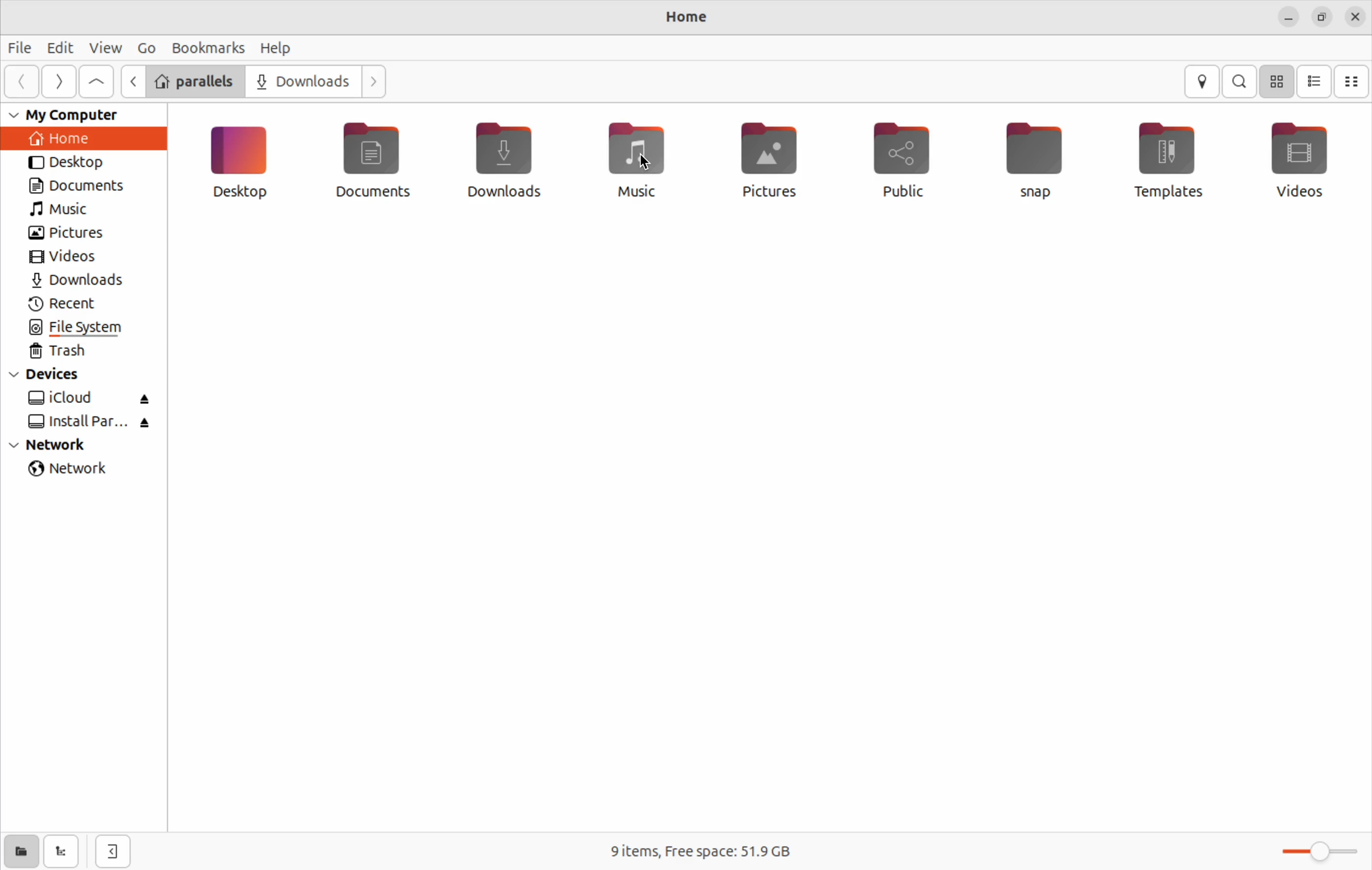 This screenshot has height=870, width=1372. I want to click on my computer, so click(74, 115).